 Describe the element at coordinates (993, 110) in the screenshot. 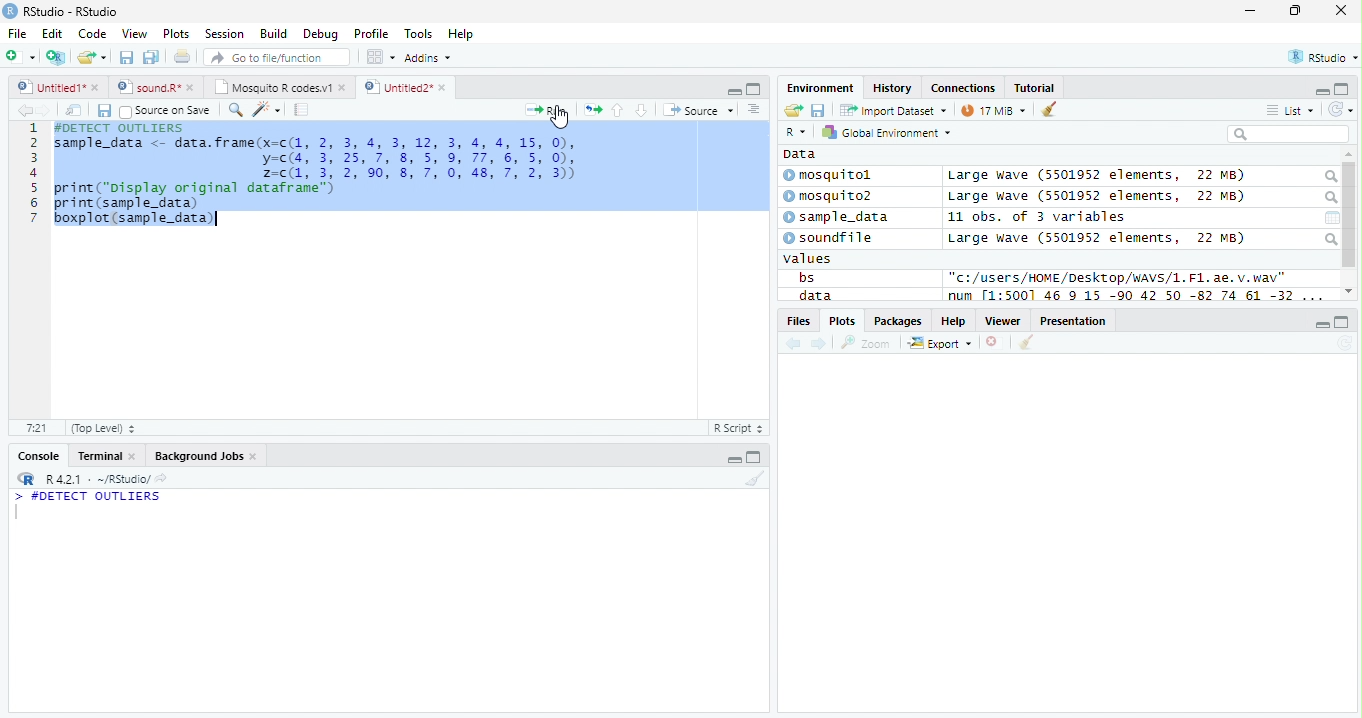

I see `17 MiB` at that location.